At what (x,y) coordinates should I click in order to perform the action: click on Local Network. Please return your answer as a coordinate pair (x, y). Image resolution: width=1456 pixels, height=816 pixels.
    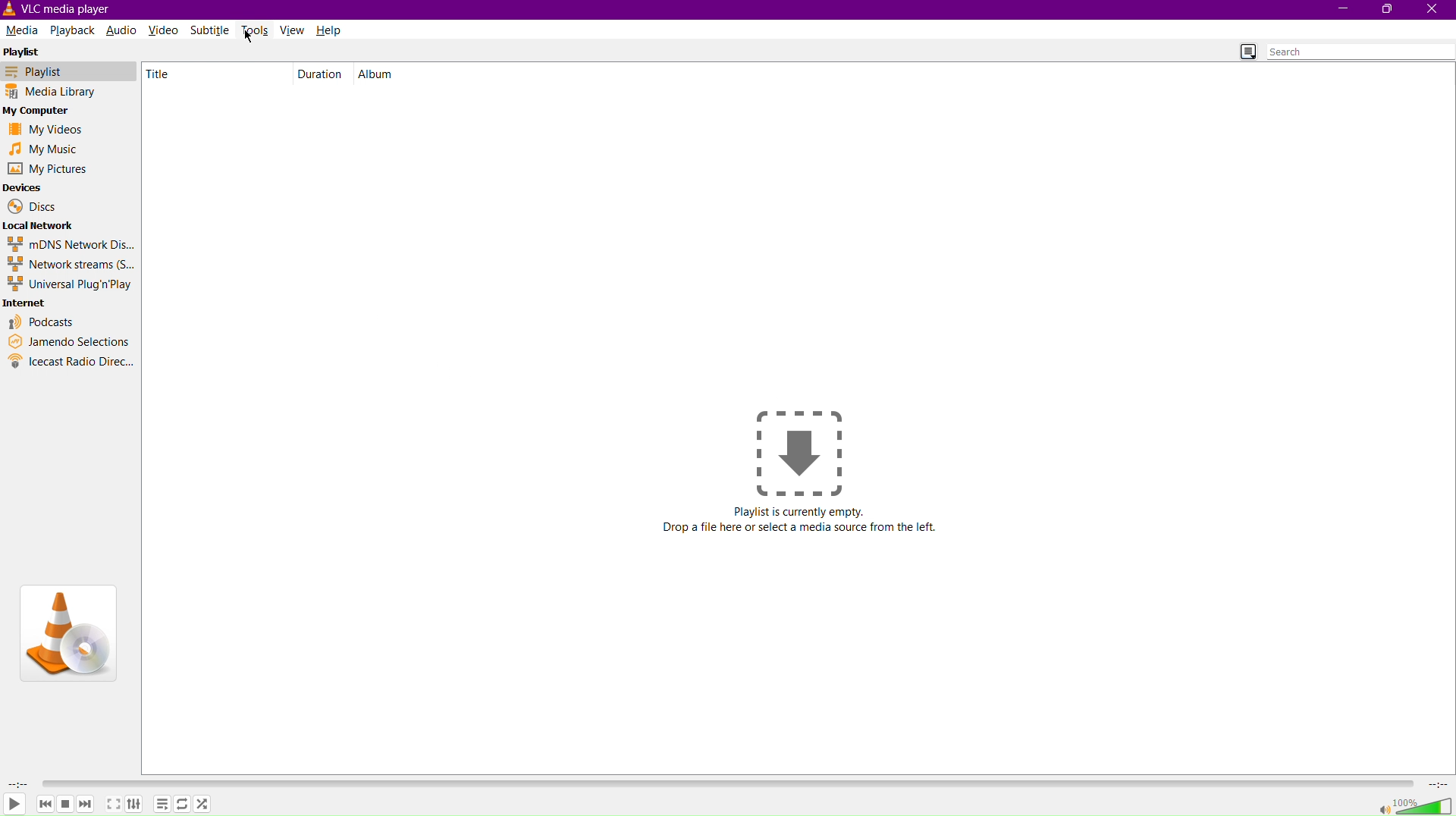
    Looking at the image, I should click on (40, 225).